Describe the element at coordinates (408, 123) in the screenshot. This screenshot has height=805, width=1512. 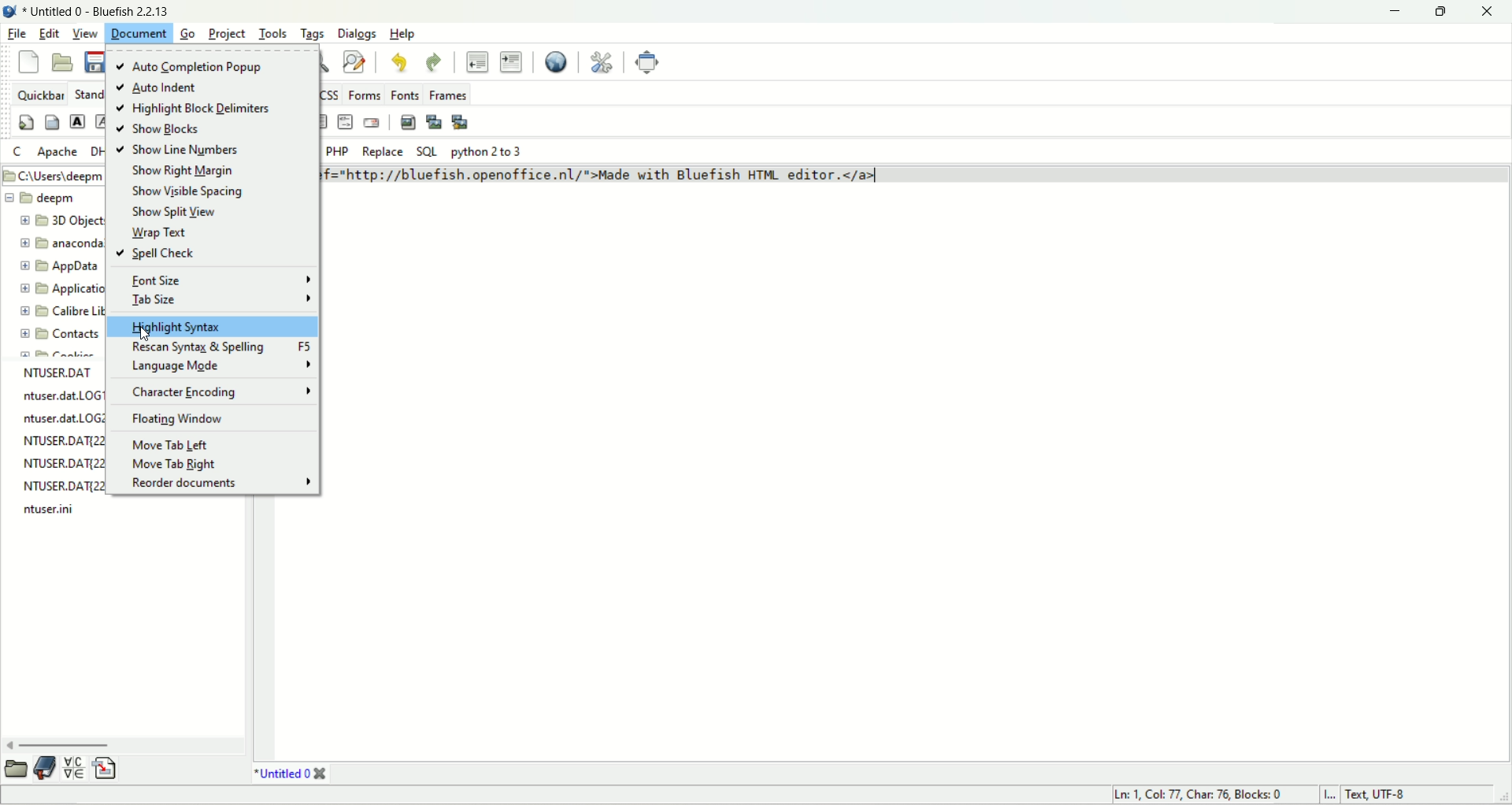
I see `insert image` at that location.